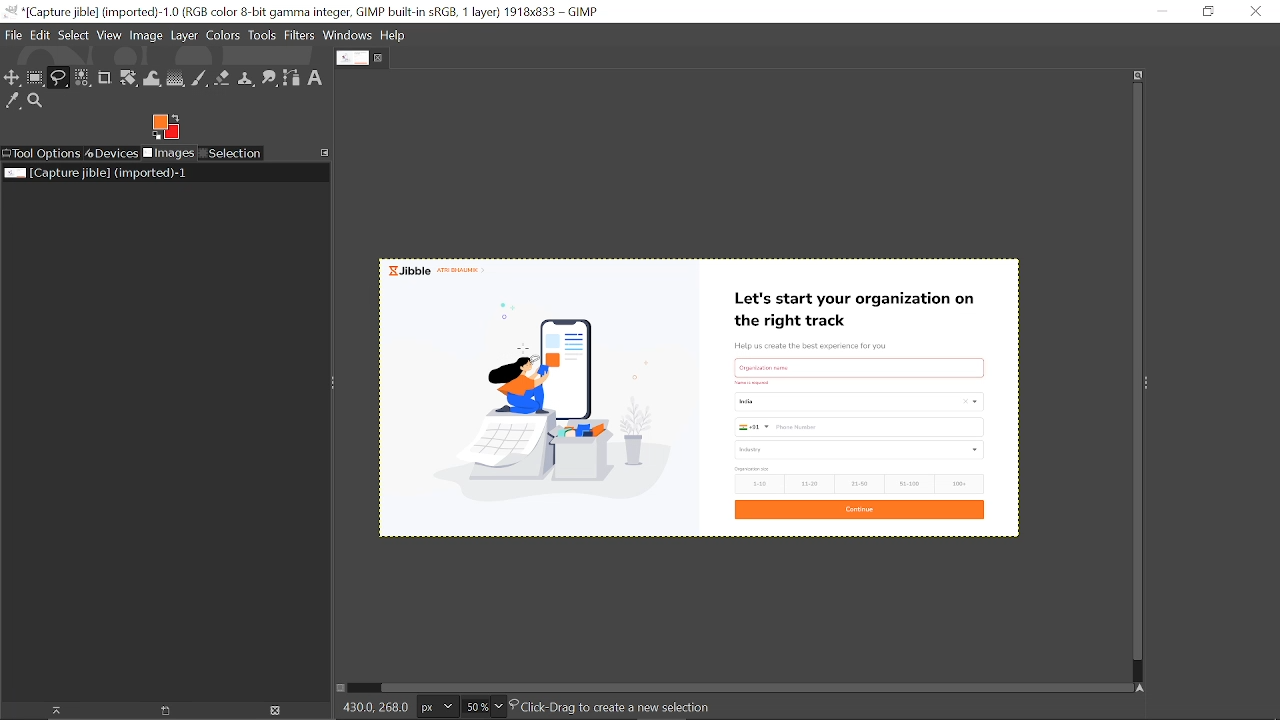  I want to click on Devices, so click(112, 152).